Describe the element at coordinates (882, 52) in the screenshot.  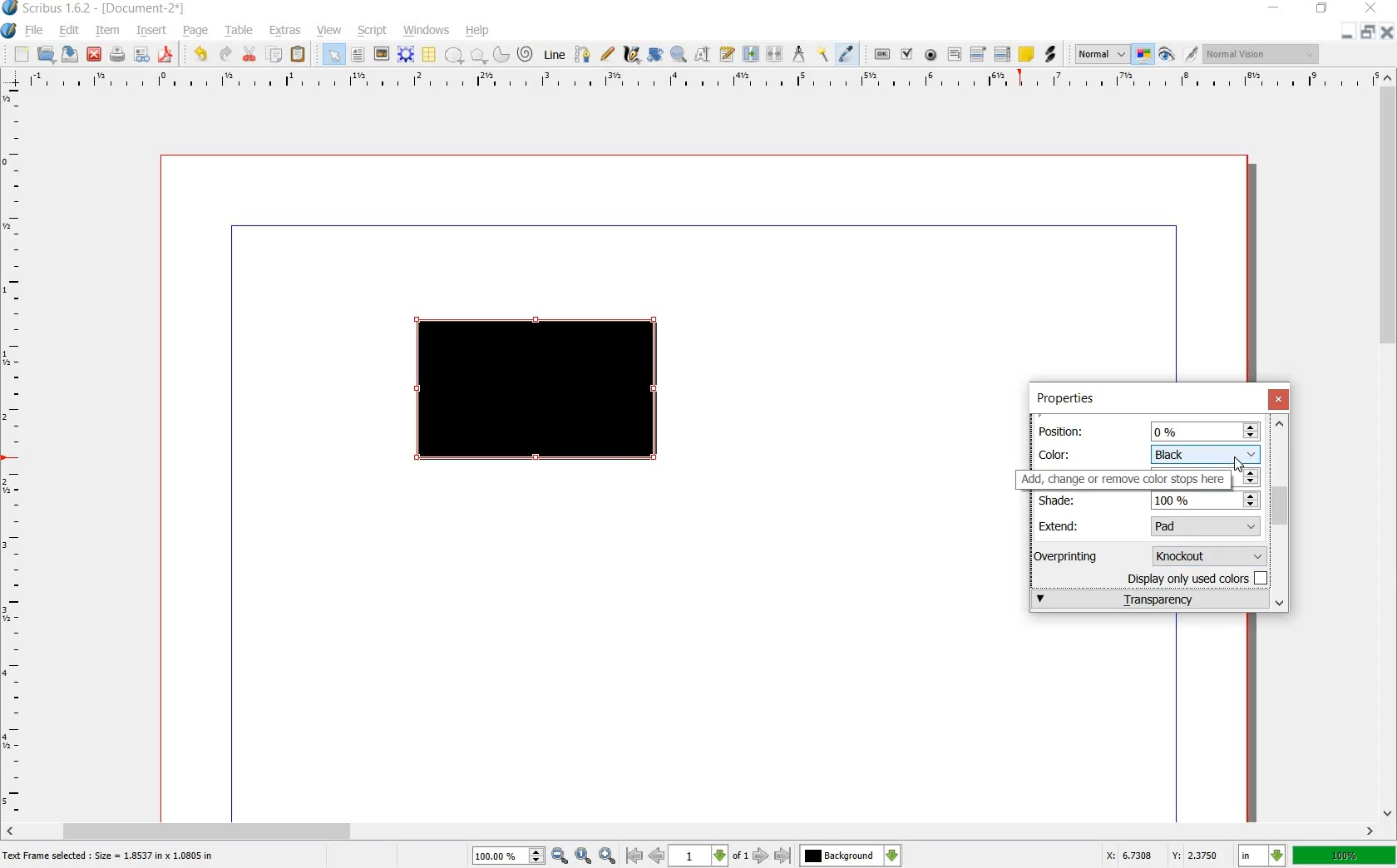
I see `pdf push button` at that location.